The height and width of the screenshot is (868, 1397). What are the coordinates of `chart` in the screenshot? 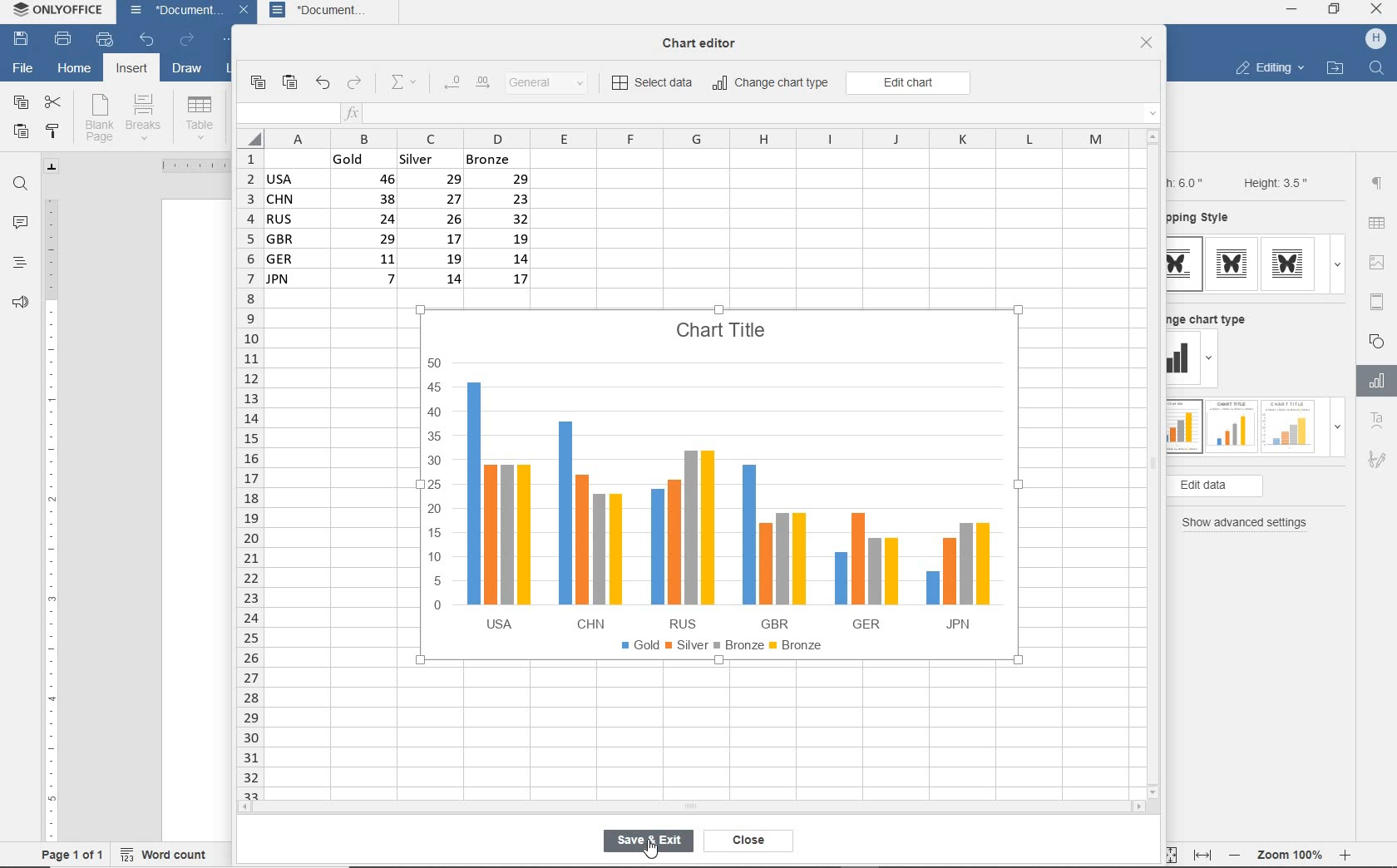 It's located at (712, 488).